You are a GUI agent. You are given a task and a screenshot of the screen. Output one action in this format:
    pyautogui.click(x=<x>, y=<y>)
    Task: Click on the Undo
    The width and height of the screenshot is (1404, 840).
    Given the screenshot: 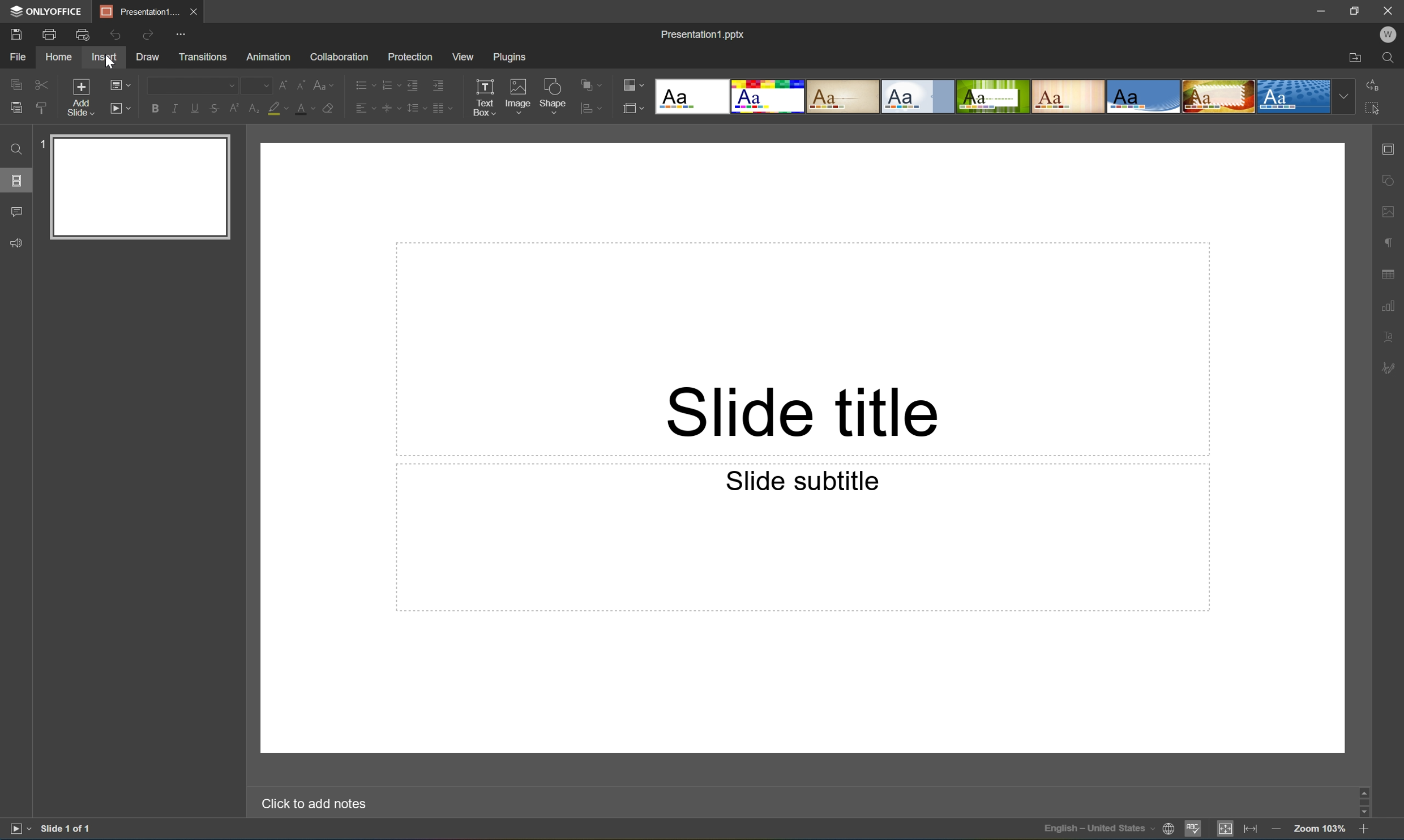 What is the action you would take?
    pyautogui.click(x=115, y=36)
    